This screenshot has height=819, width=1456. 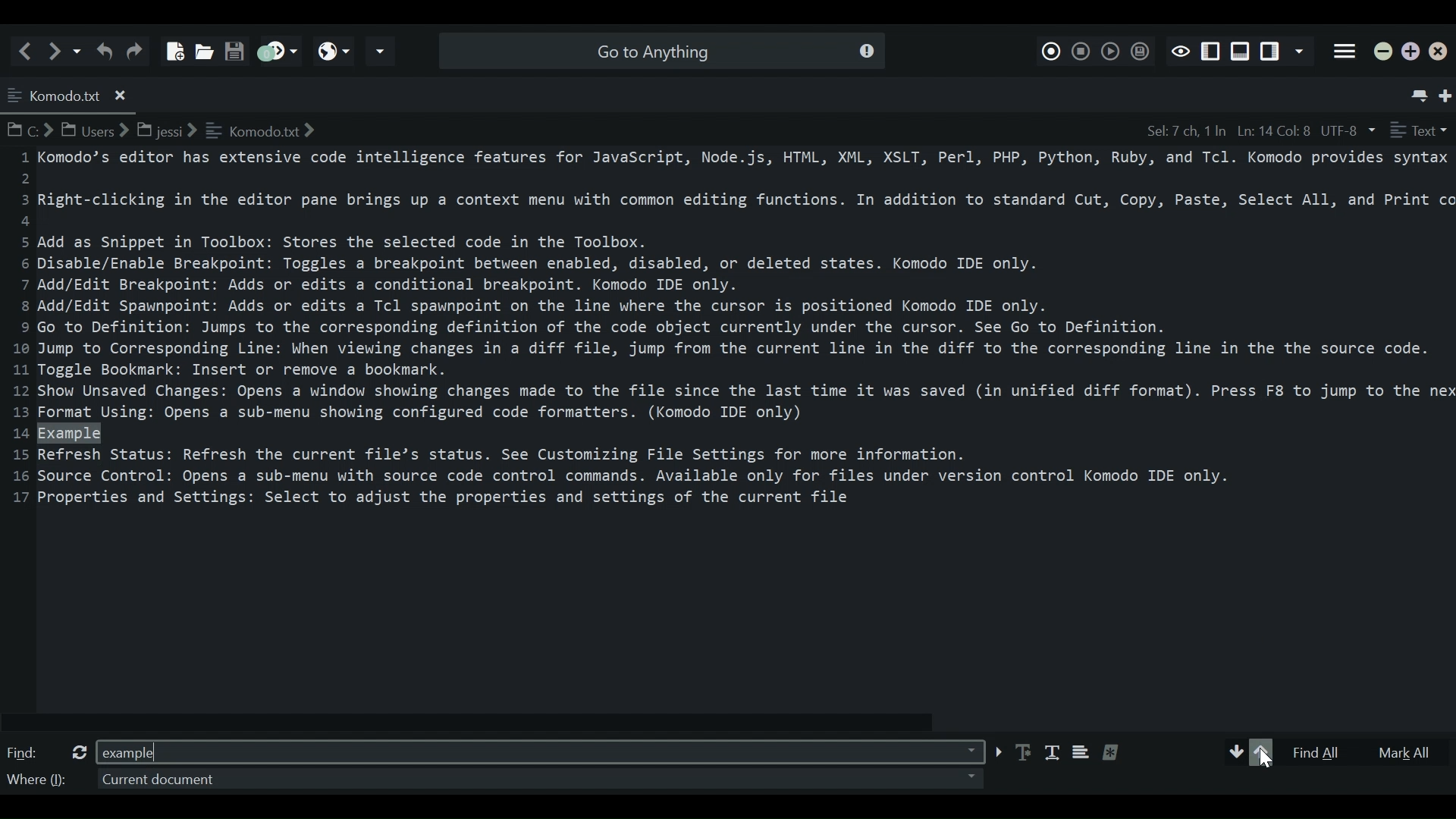 I want to click on Match Whole words, so click(x=1052, y=754).